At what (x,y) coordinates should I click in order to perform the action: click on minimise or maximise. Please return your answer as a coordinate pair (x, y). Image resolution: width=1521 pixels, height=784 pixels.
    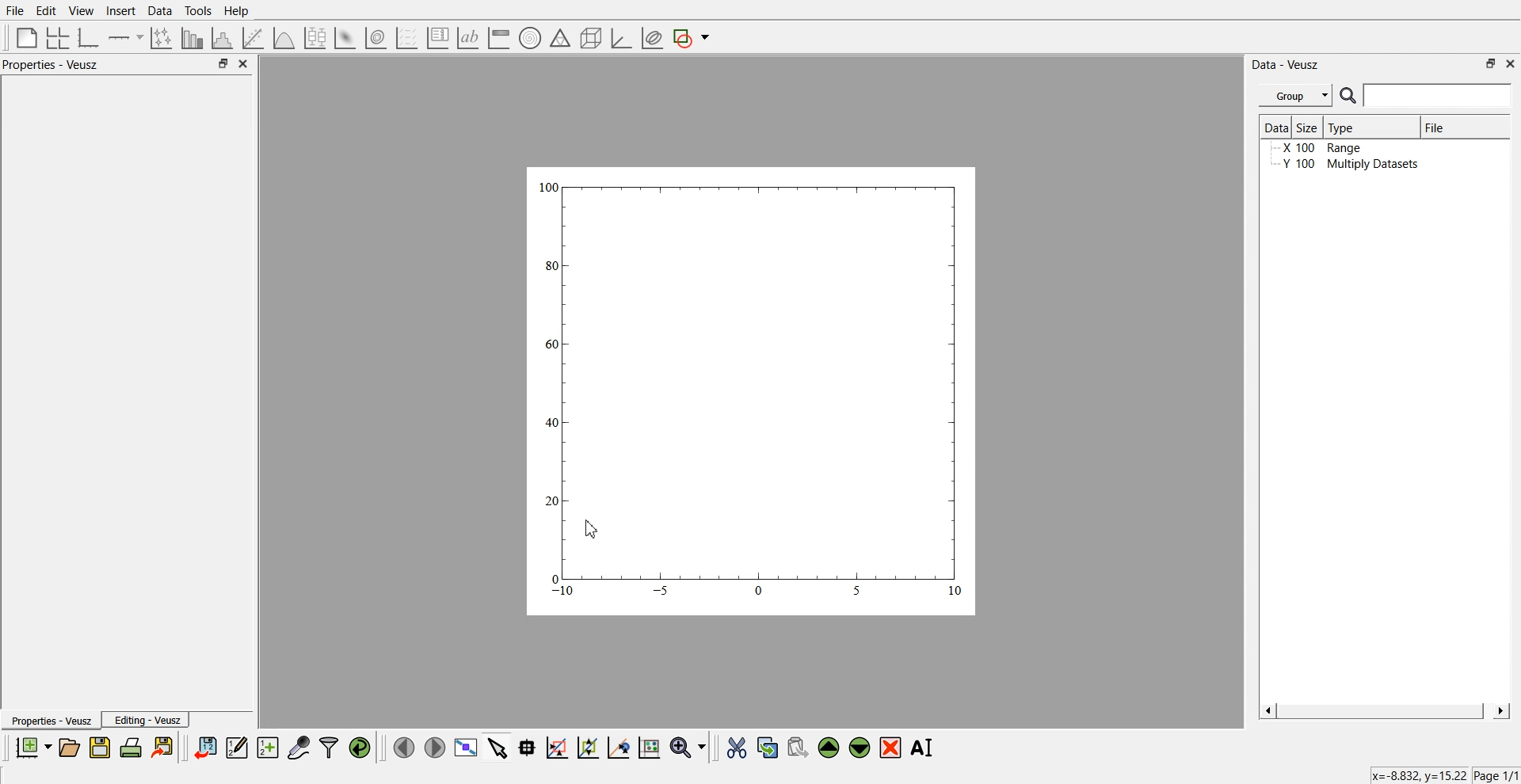
    Looking at the image, I should click on (1491, 63).